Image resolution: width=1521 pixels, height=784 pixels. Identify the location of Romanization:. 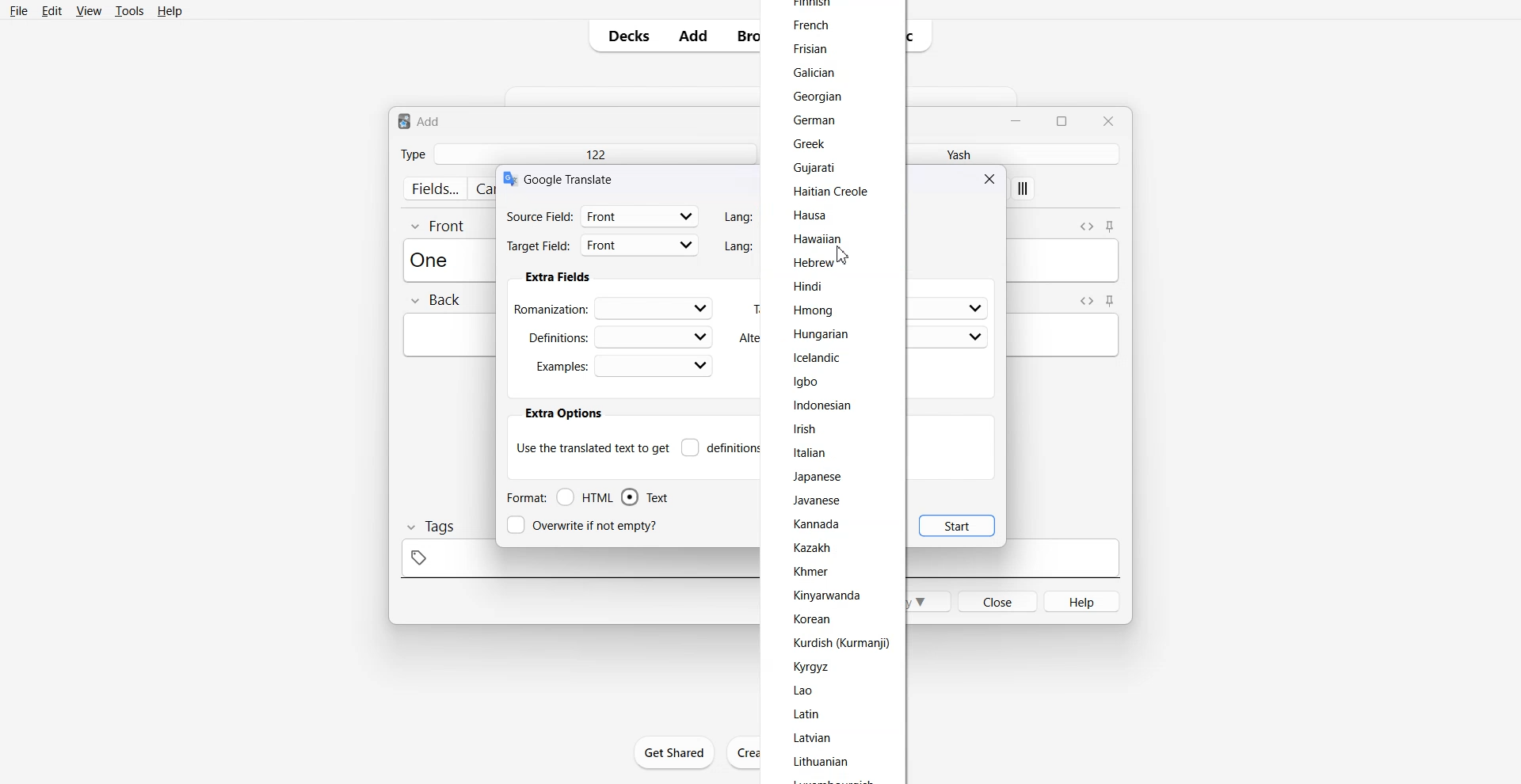
(616, 307).